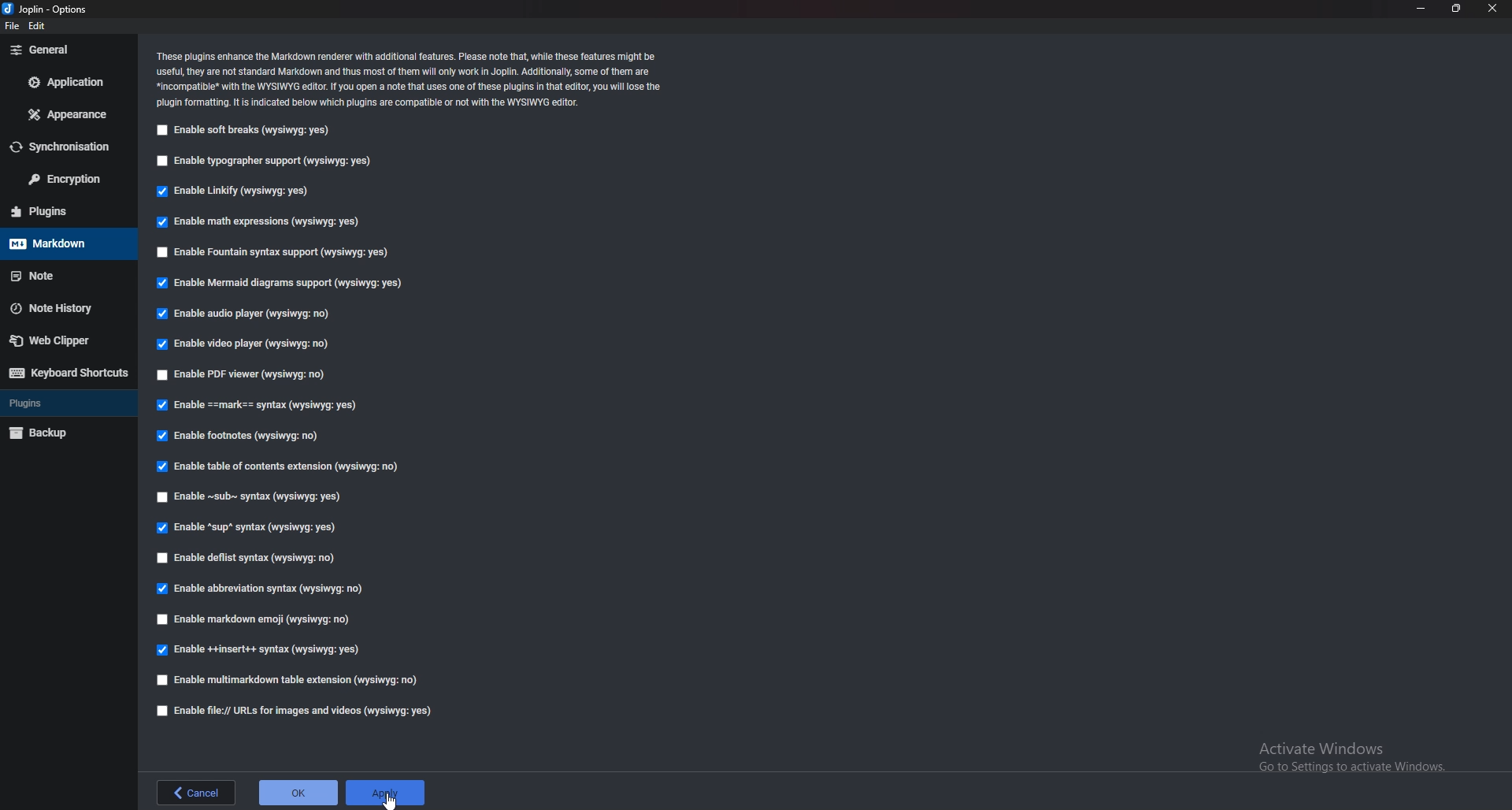 The height and width of the screenshot is (810, 1512). I want to click on Enable insert syntax, so click(261, 652).